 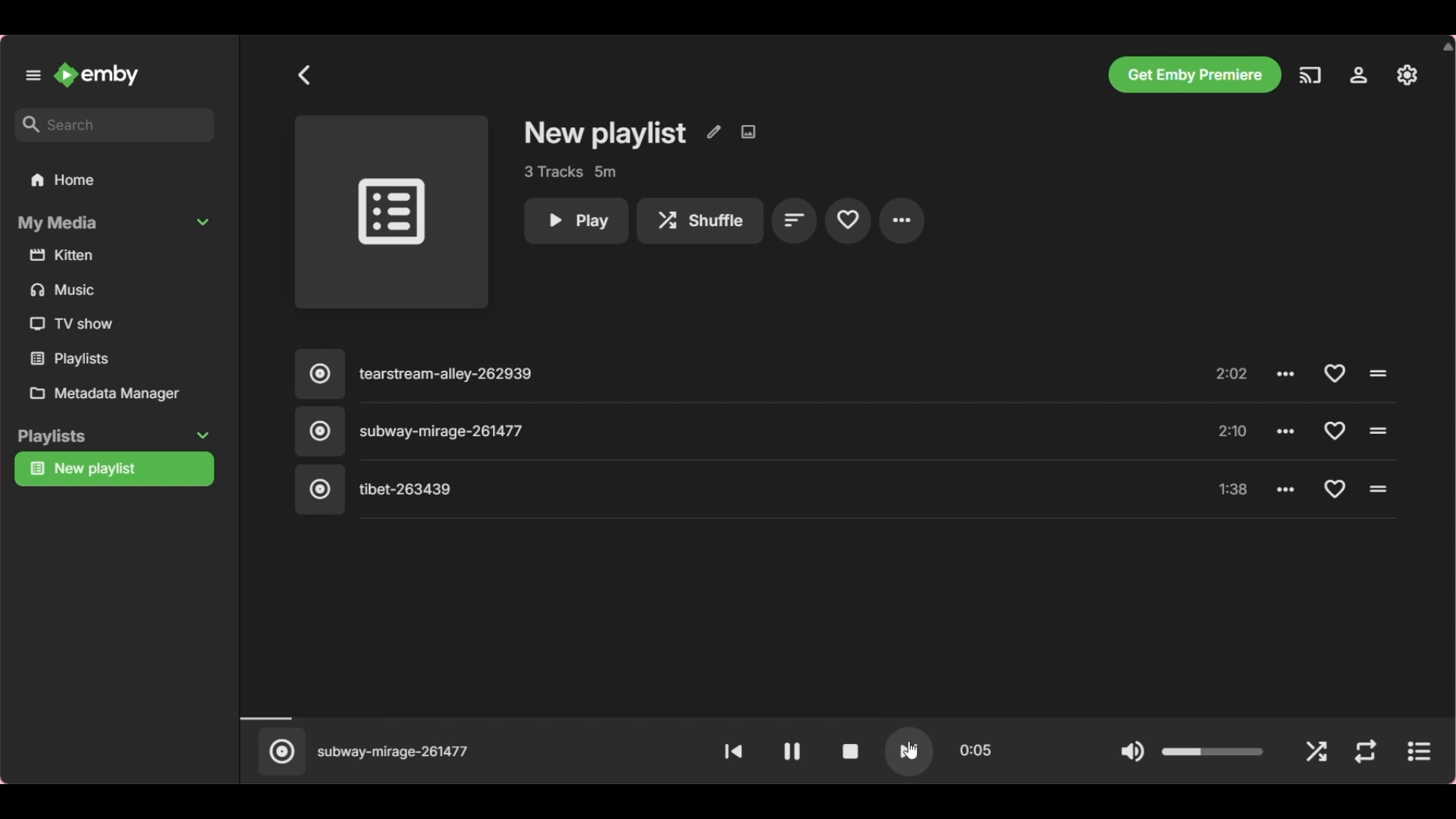 I want to click on Unpin left panel, so click(x=33, y=75).